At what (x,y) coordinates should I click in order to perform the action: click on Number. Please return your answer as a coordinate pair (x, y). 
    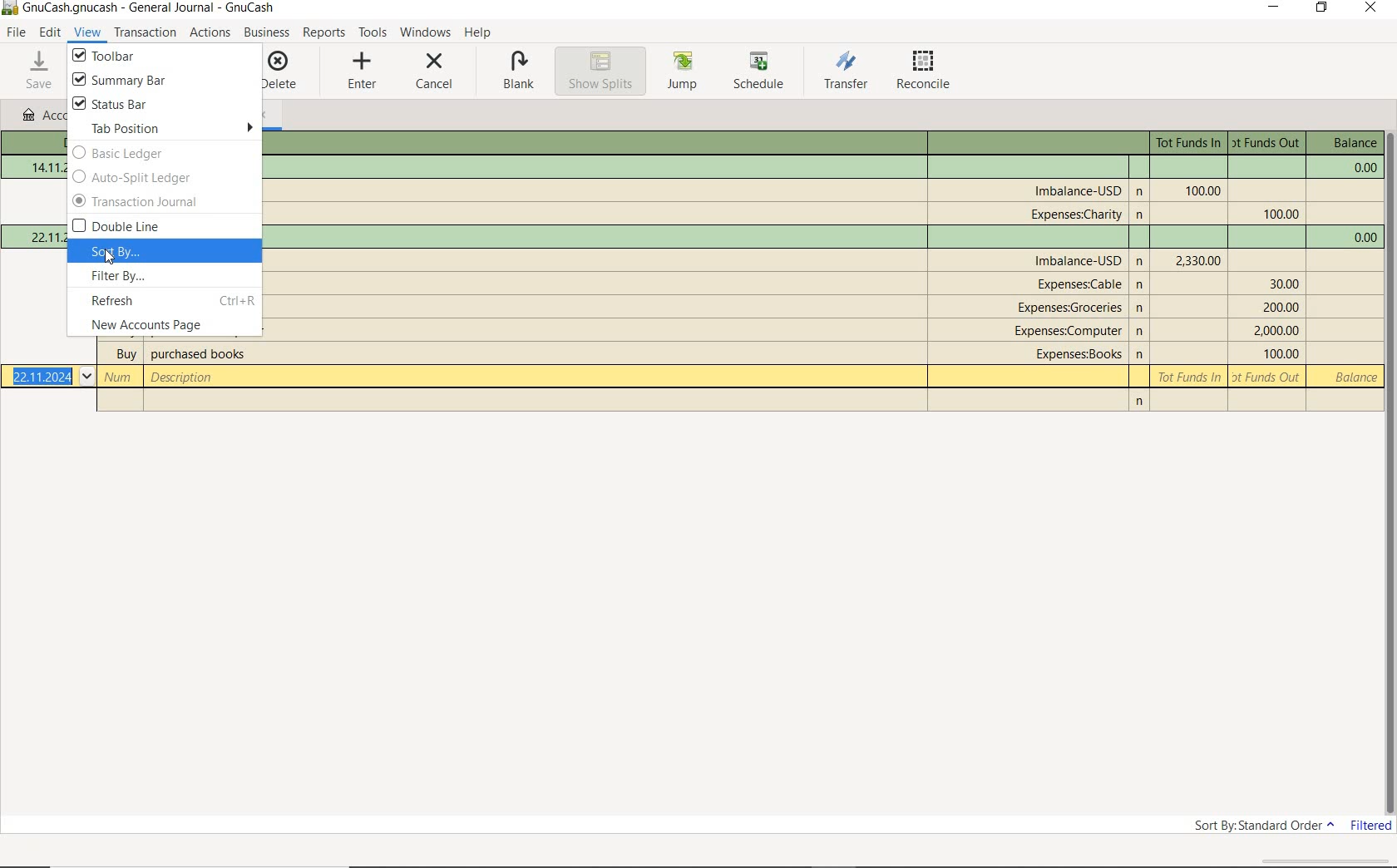
    Looking at the image, I should click on (120, 378).